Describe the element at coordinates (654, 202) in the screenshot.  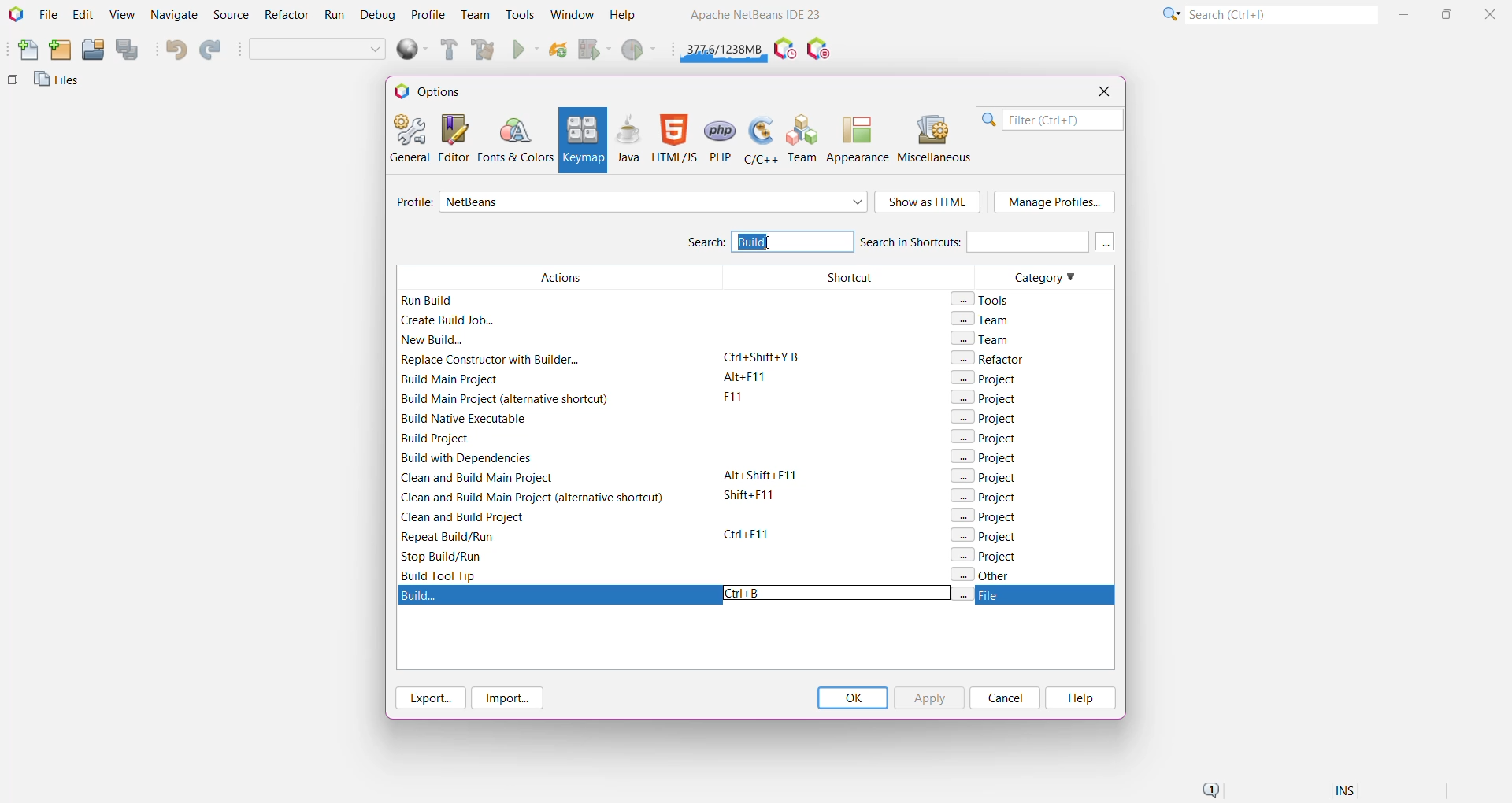
I see `Select required profile from the list` at that location.